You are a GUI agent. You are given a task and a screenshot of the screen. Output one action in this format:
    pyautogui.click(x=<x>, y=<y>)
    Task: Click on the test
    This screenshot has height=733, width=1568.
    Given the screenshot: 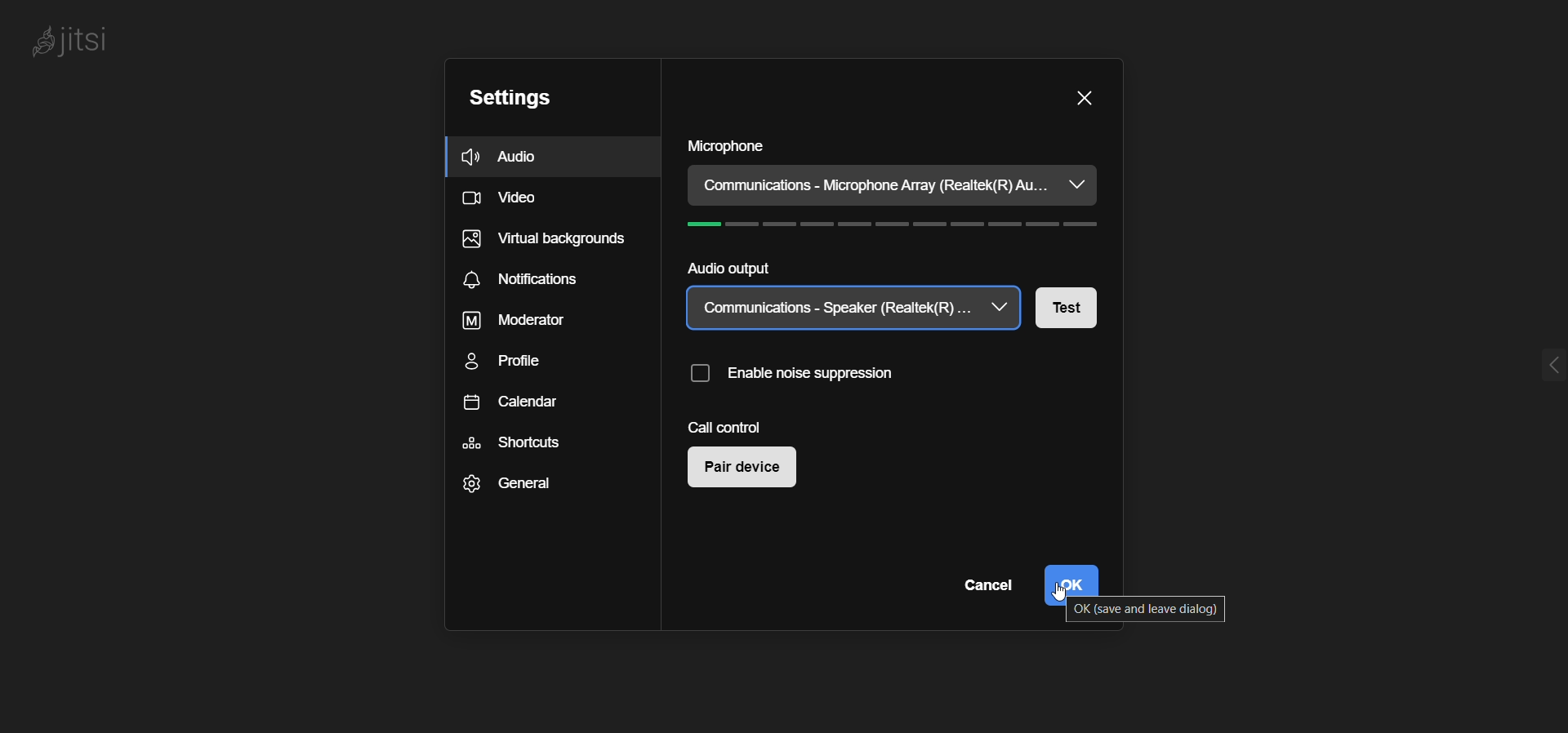 What is the action you would take?
    pyautogui.click(x=1078, y=308)
    